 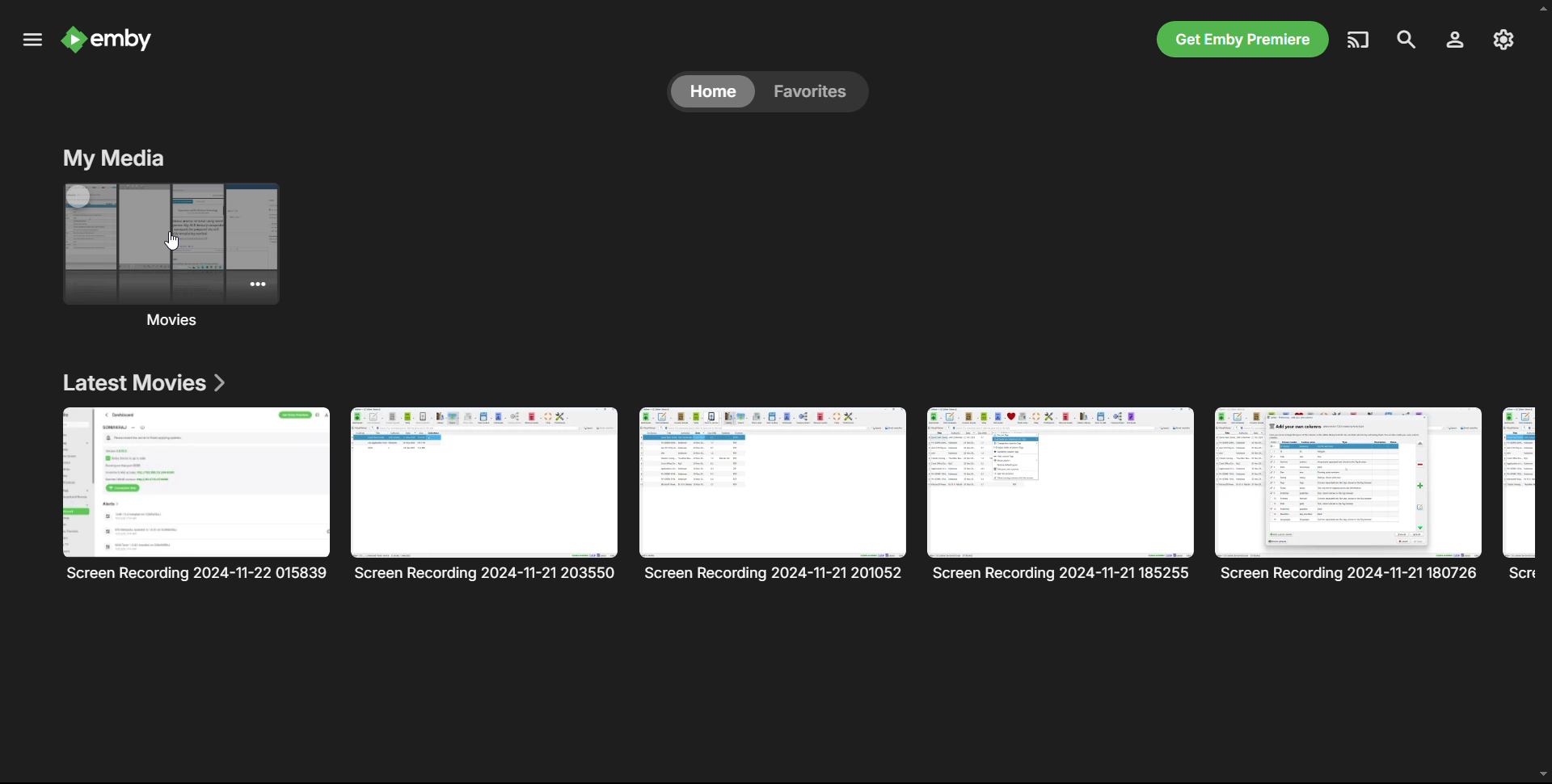 What do you see at coordinates (812, 91) in the screenshot?
I see `favorites` at bounding box center [812, 91].